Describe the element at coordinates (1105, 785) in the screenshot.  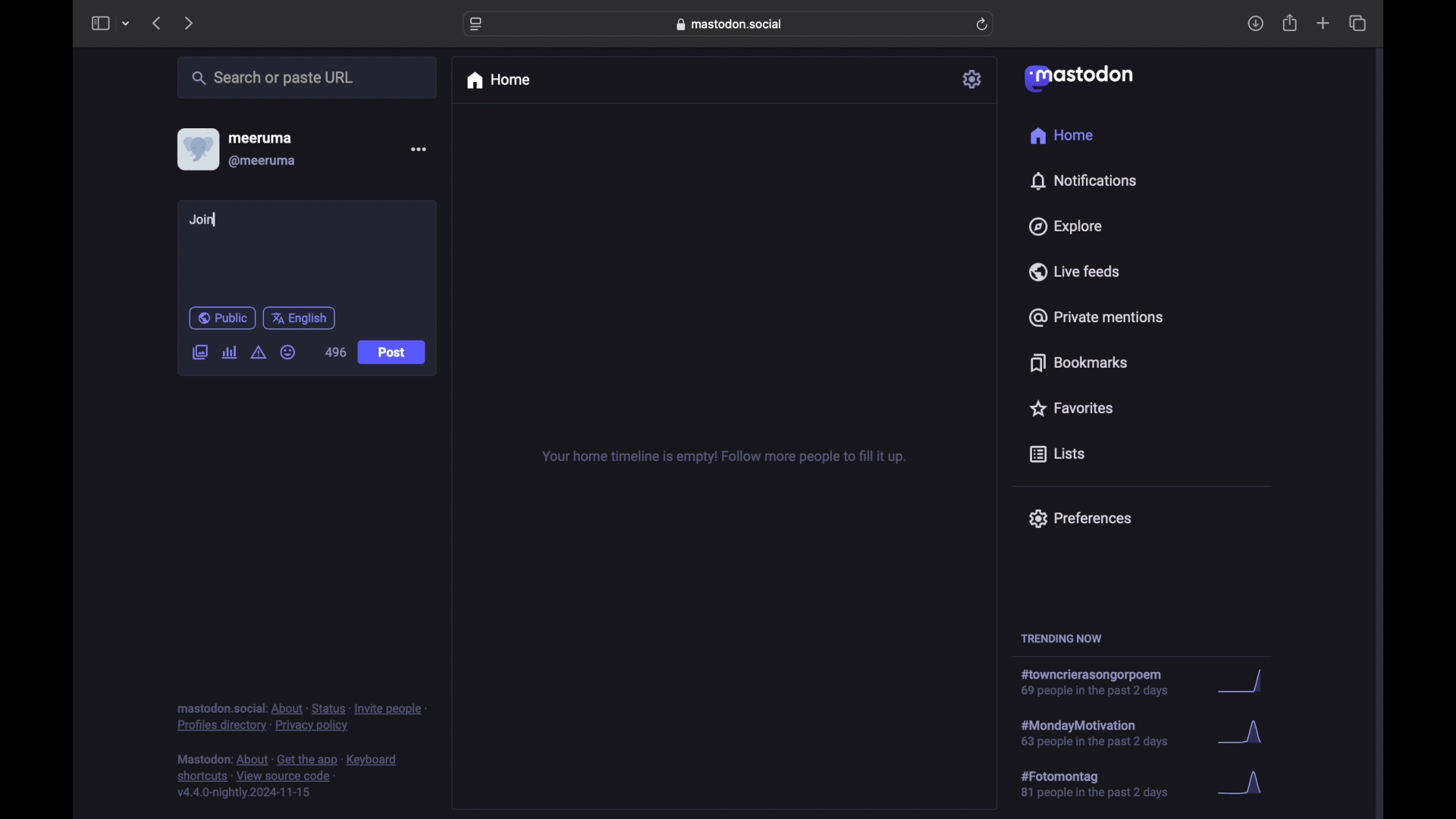
I see `hashtag trend` at that location.